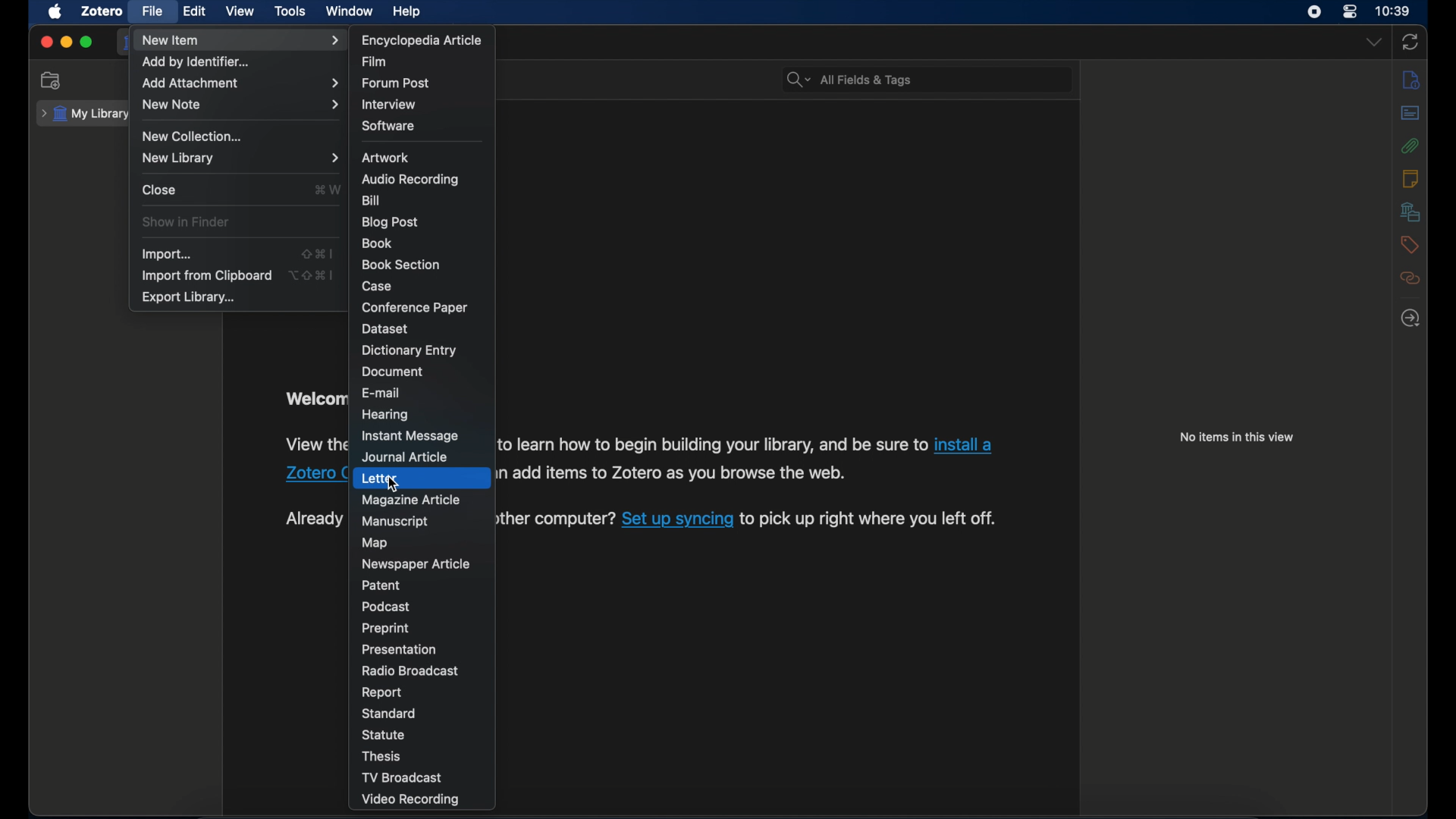 The height and width of the screenshot is (819, 1456). Describe the element at coordinates (966, 444) in the screenshot. I see `install a` at that location.